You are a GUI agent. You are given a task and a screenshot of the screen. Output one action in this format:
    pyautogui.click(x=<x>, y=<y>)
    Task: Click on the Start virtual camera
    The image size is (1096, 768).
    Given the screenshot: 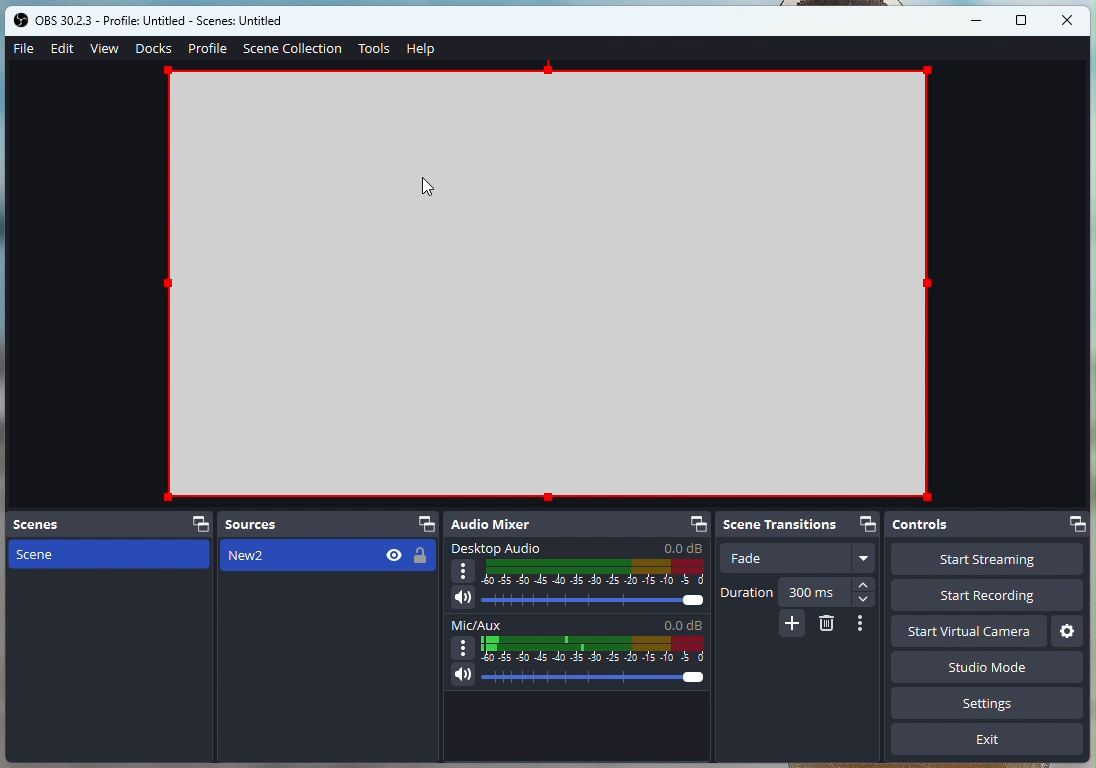 What is the action you would take?
    pyautogui.click(x=969, y=630)
    